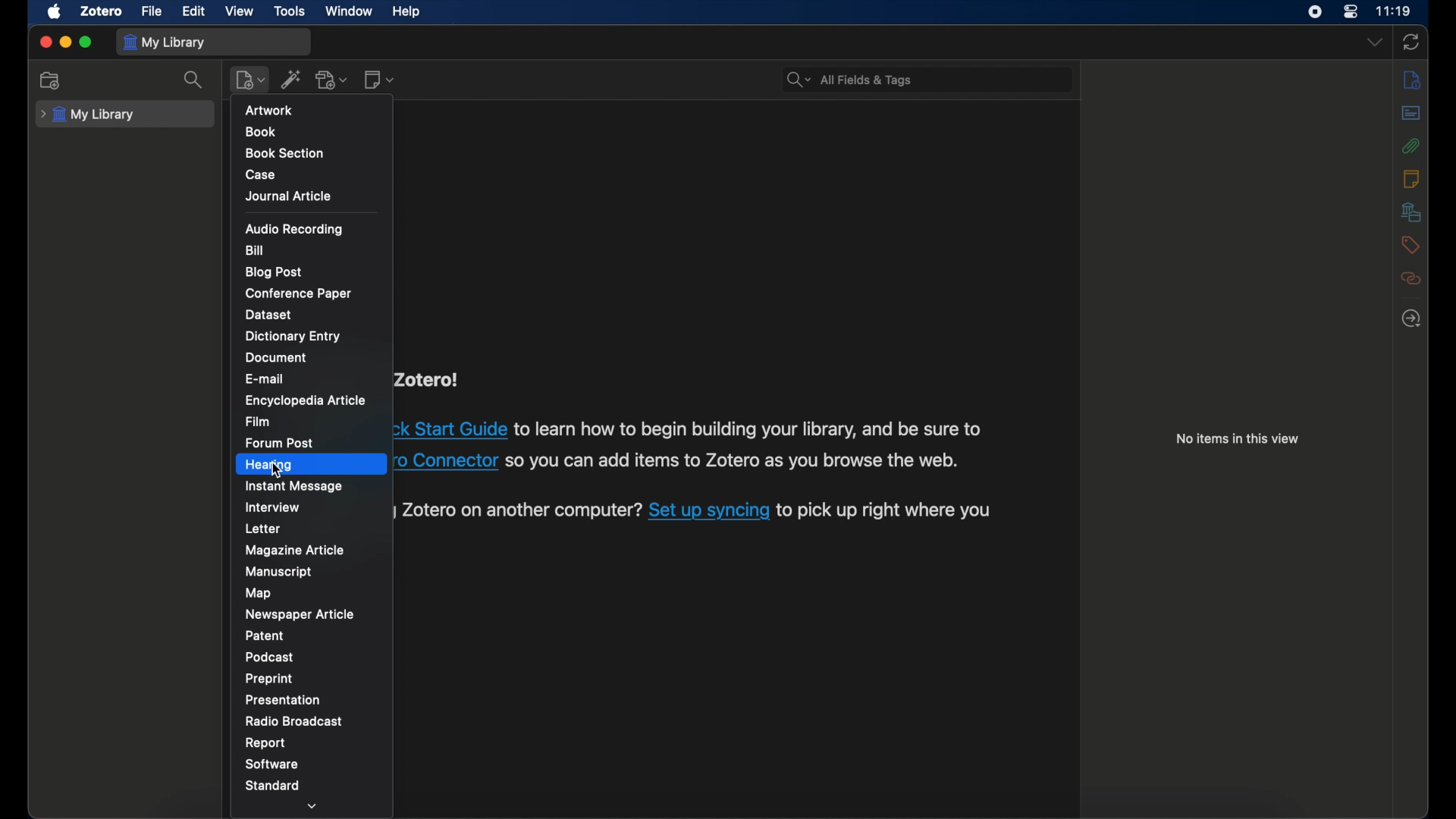 The width and height of the screenshot is (1456, 819). I want to click on abstract, so click(1412, 113).